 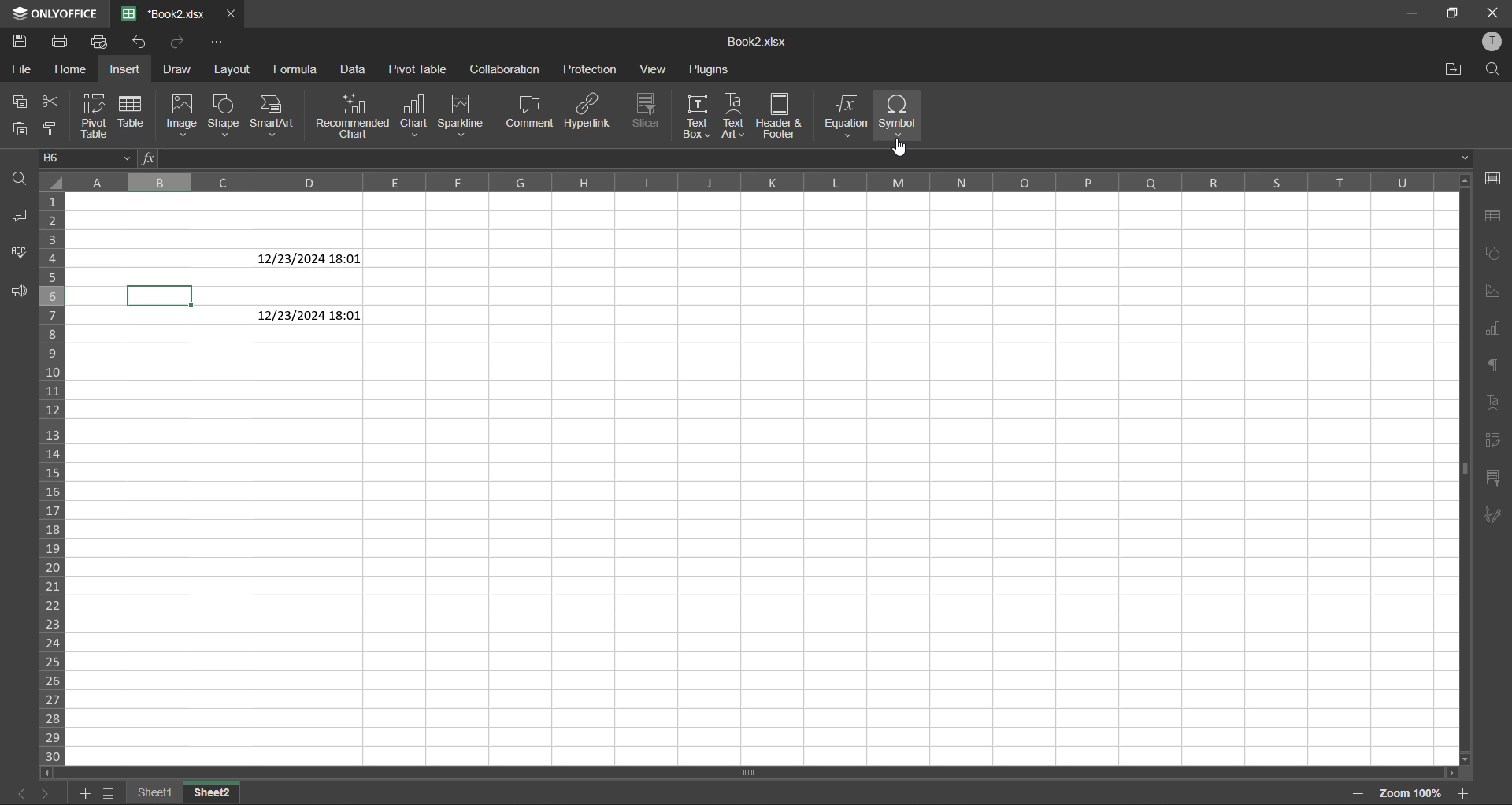 What do you see at coordinates (1492, 69) in the screenshot?
I see `find` at bounding box center [1492, 69].